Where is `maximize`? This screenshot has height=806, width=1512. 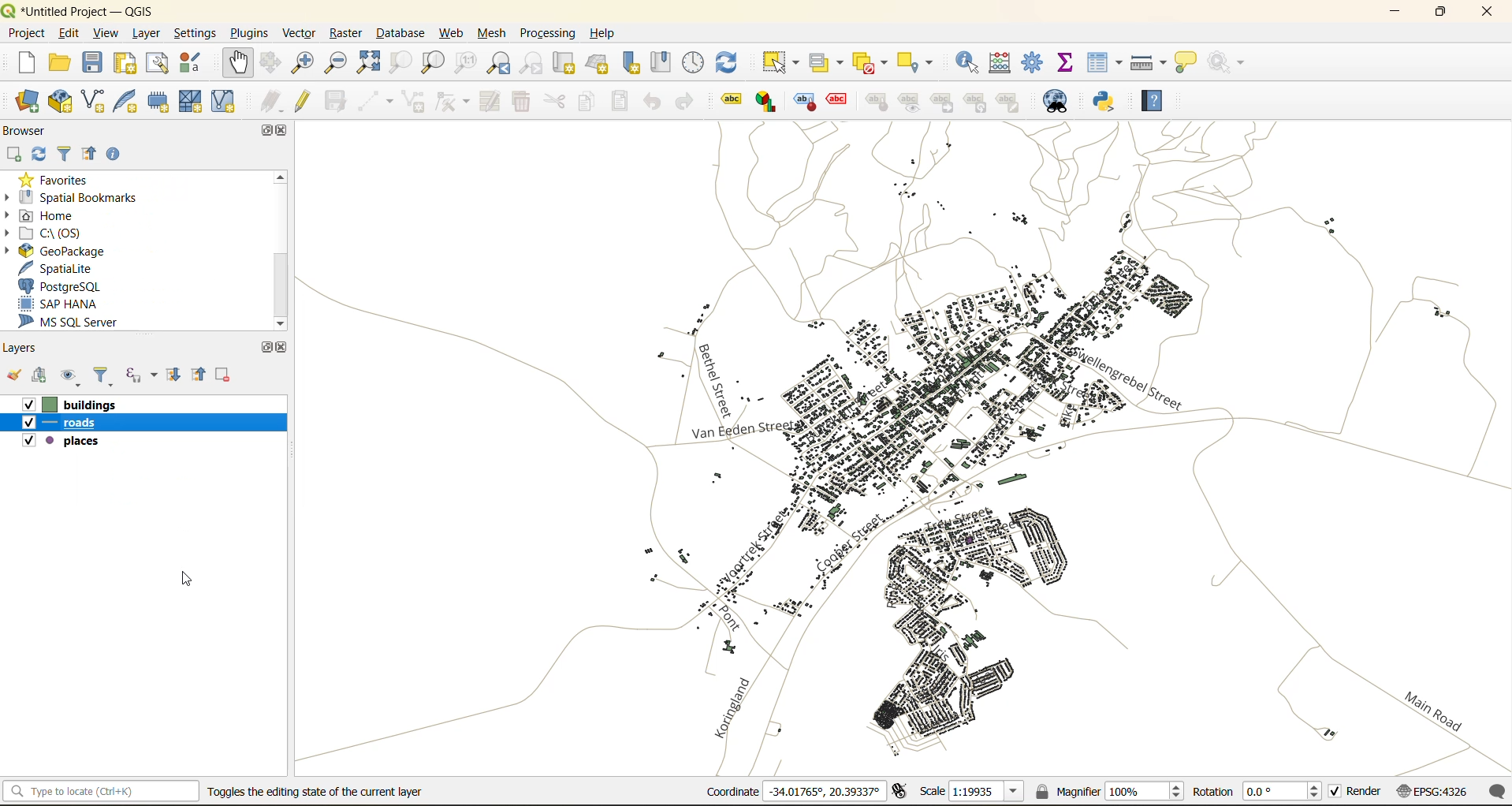
maximize is located at coordinates (1440, 13).